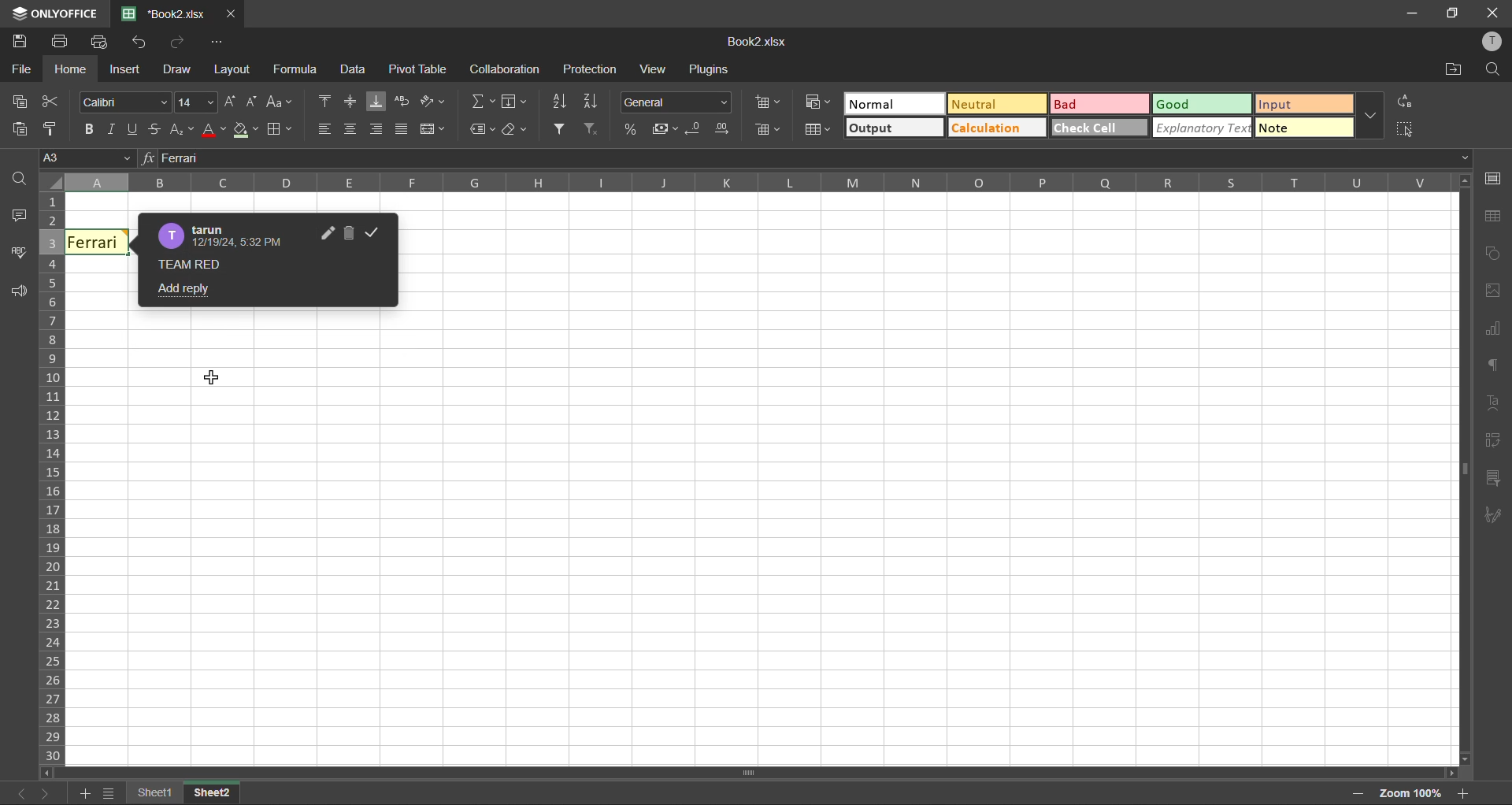 The image size is (1512, 805). Describe the element at coordinates (197, 101) in the screenshot. I see `font size` at that location.